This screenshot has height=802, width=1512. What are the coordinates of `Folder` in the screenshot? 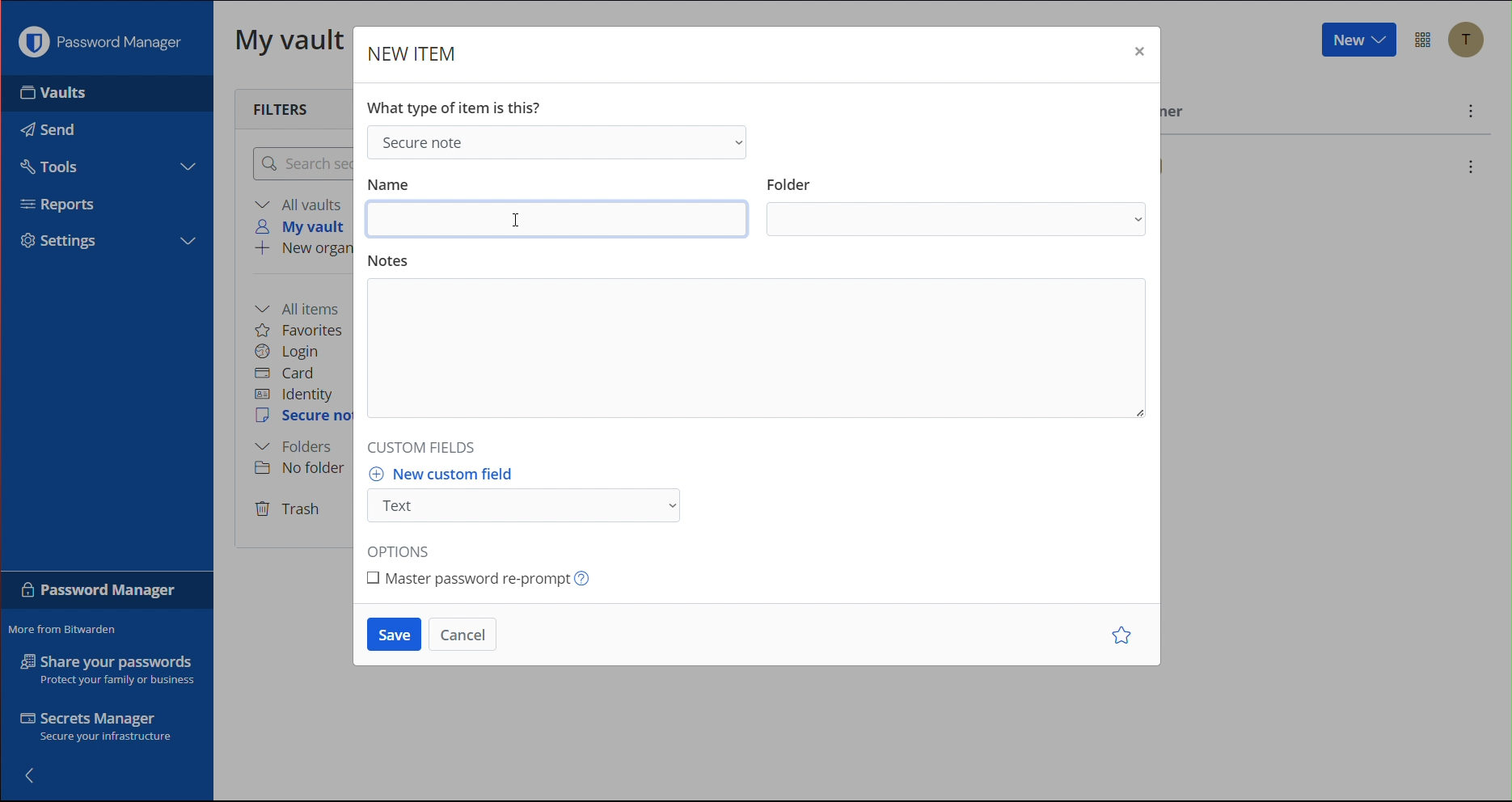 It's located at (959, 221).